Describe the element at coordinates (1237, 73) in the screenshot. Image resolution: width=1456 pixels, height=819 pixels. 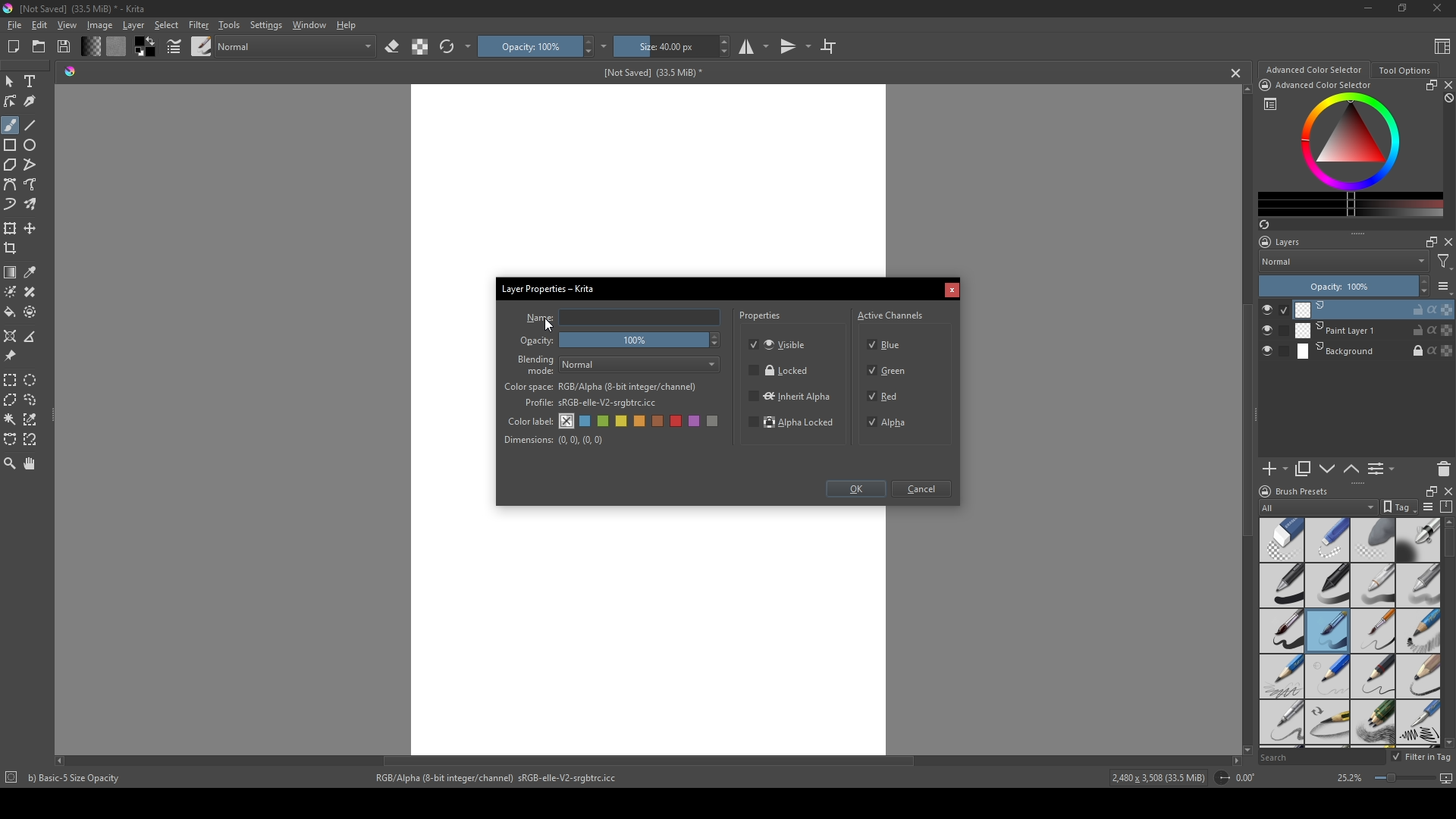
I see `cancel` at that location.